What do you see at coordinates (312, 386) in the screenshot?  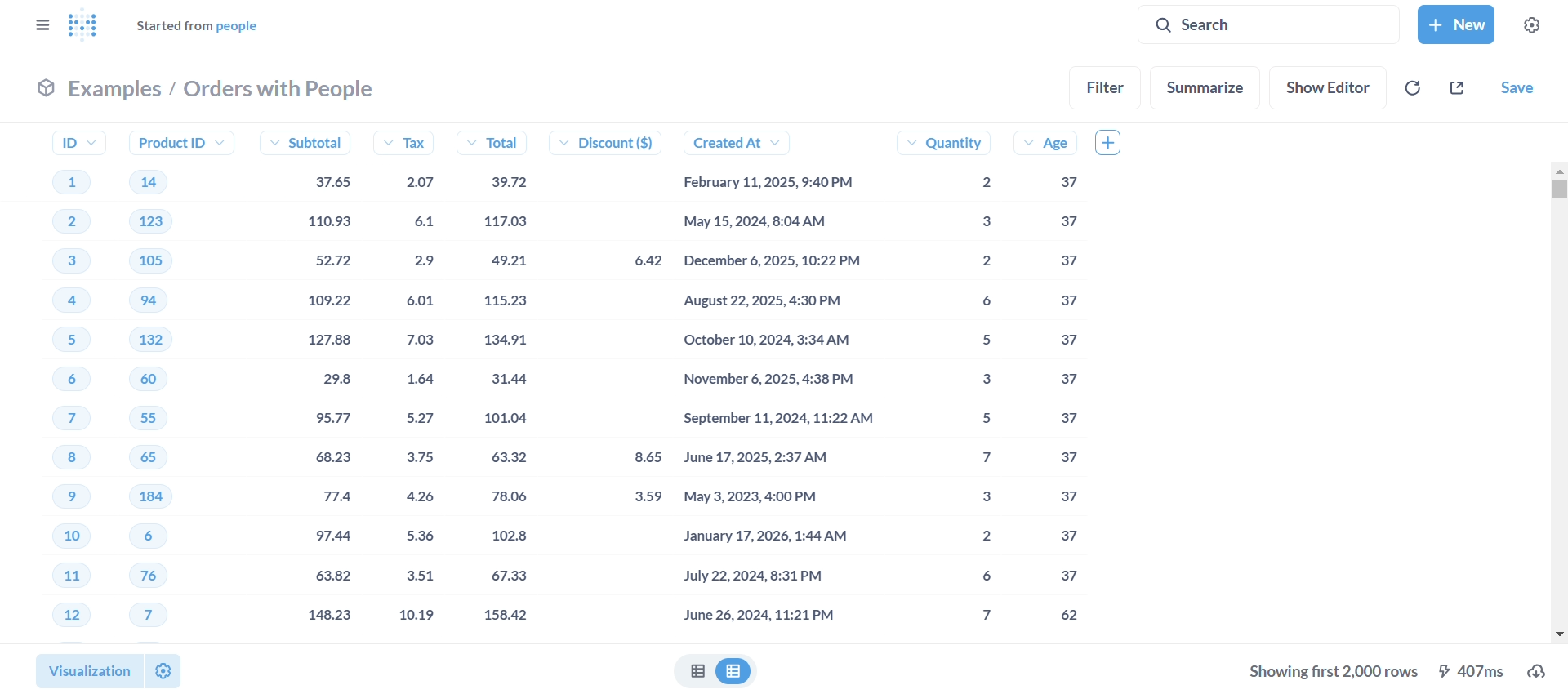 I see `subtotal` at bounding box center [312, 386].